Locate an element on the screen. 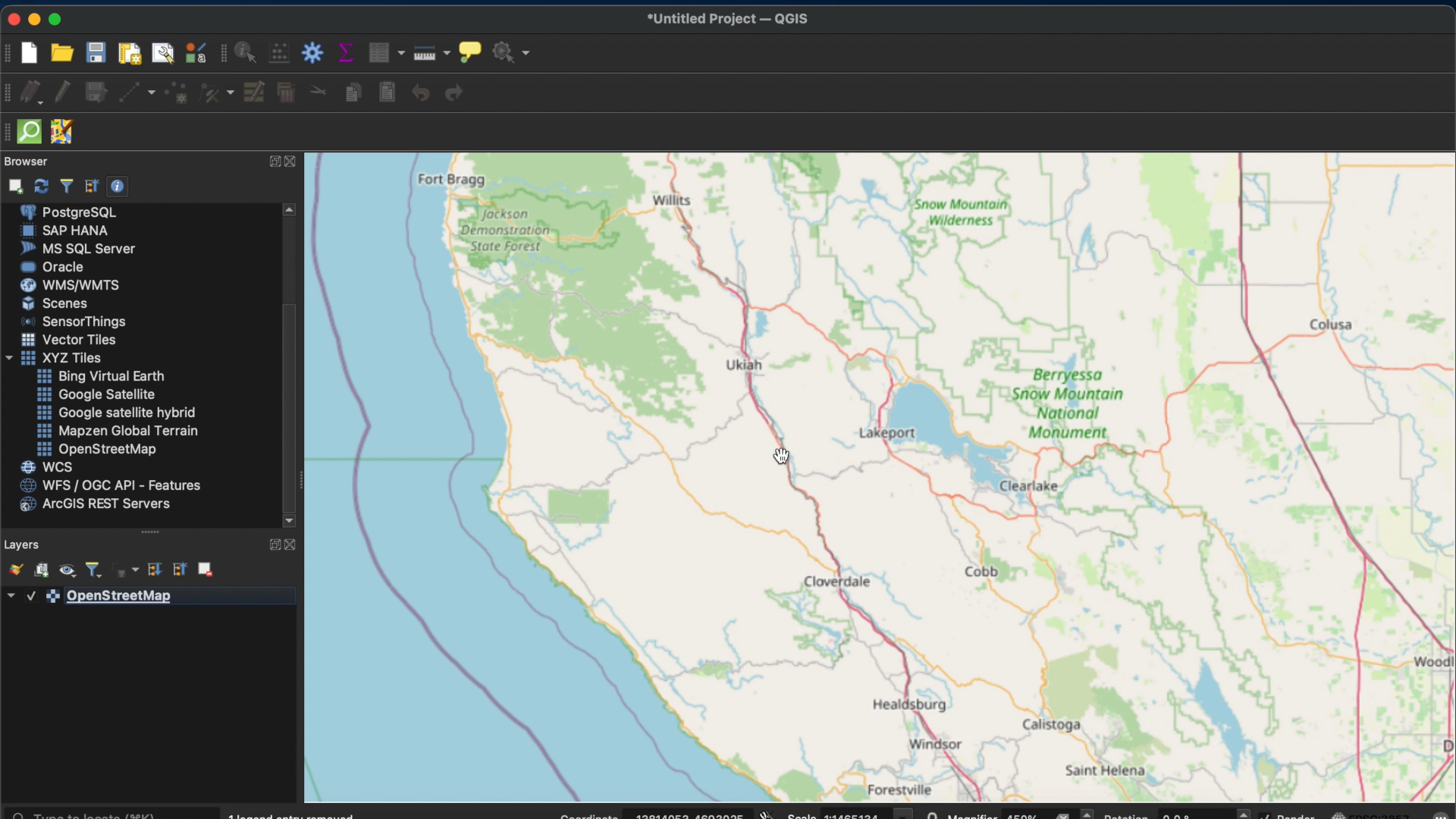  filter legend is located at coordinates (95, 571).